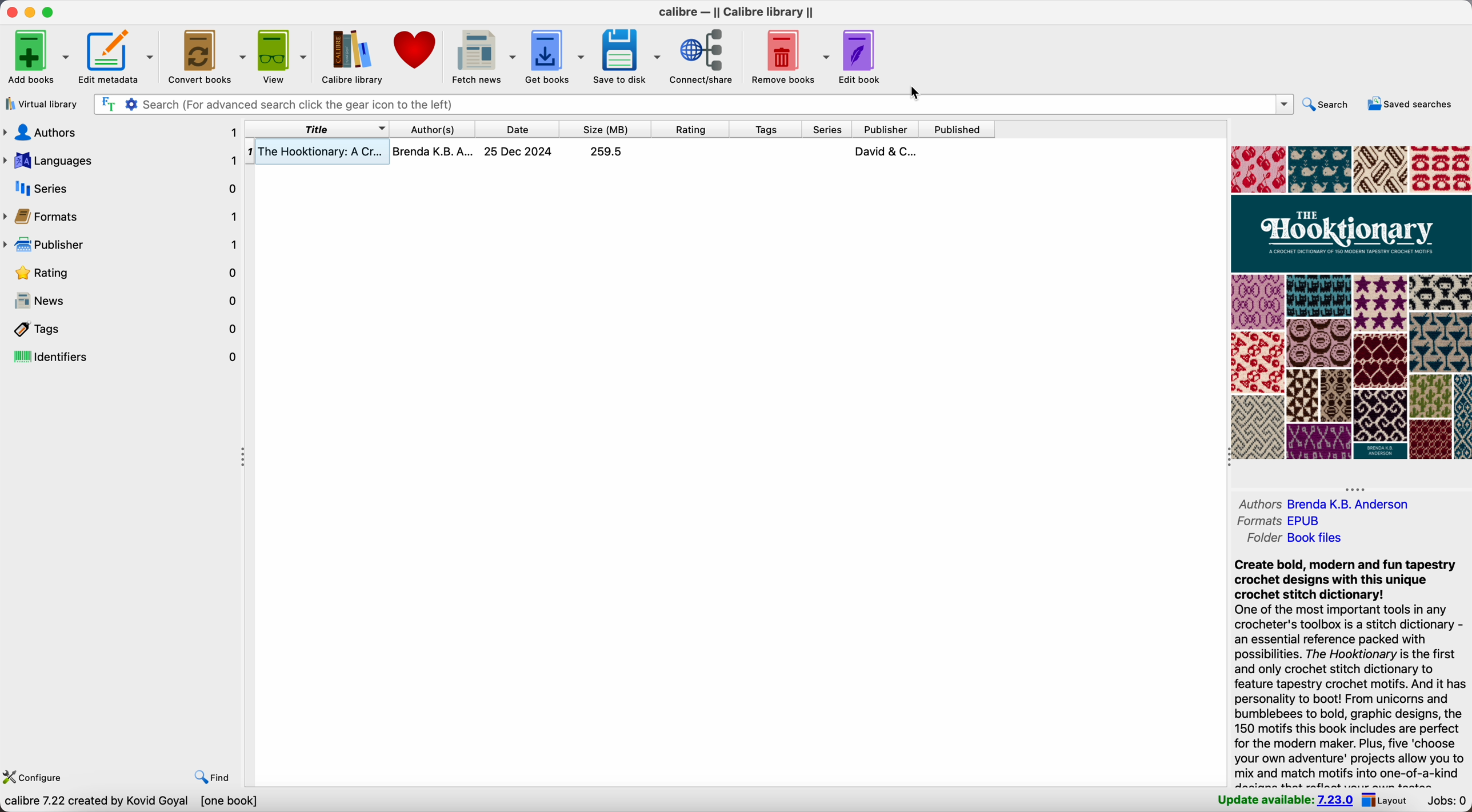 Image resolution: width=1472 pixels, height=812 pixels. Describe the element at coordinates (620, 154) in the screenshot. I see `book` at that location.